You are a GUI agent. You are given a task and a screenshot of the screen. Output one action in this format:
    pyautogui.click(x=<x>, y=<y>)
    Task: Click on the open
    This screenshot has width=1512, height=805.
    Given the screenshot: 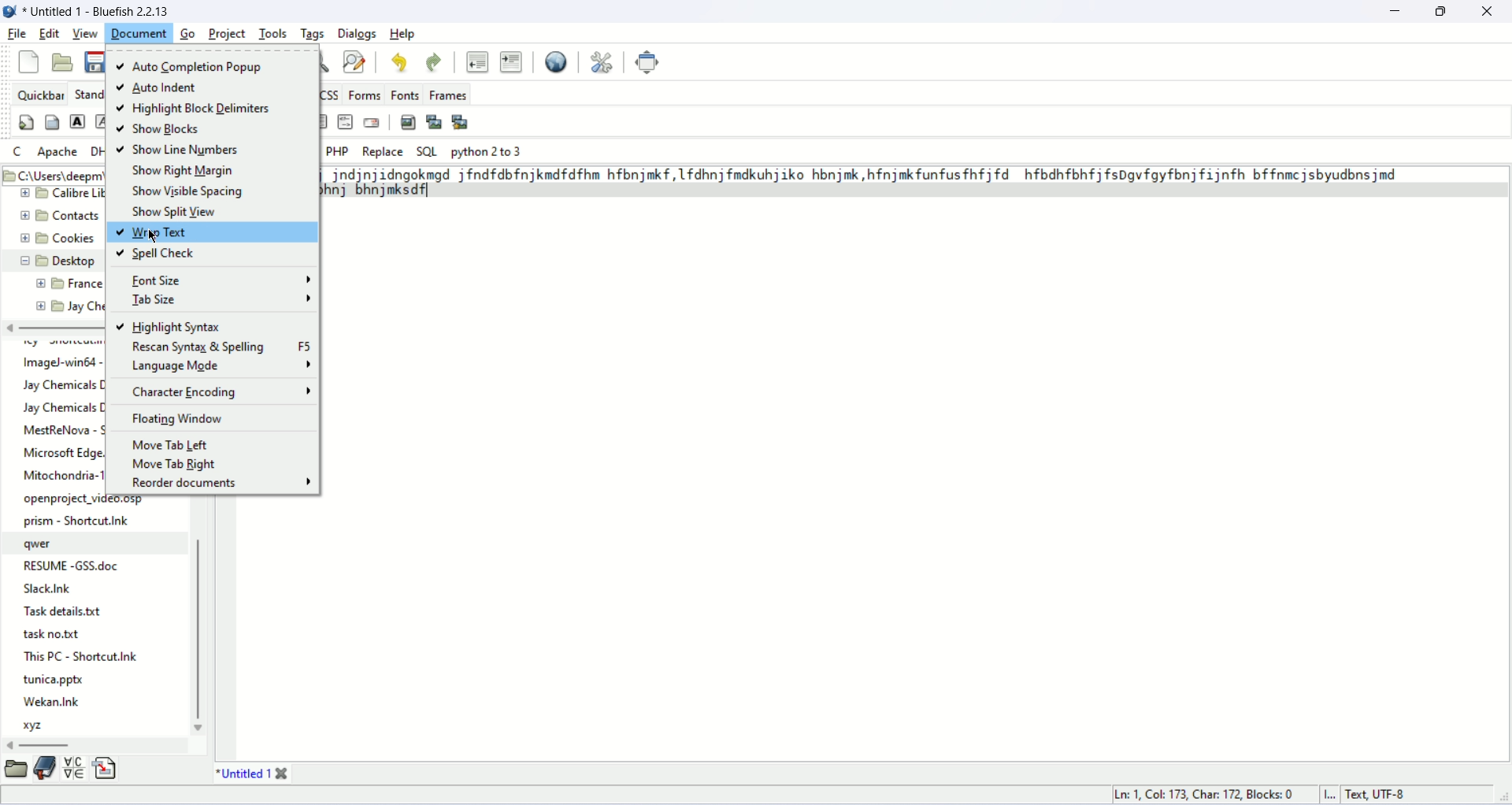 What is the action you would take?
    pyautogui.click(x=64, y=63)
    